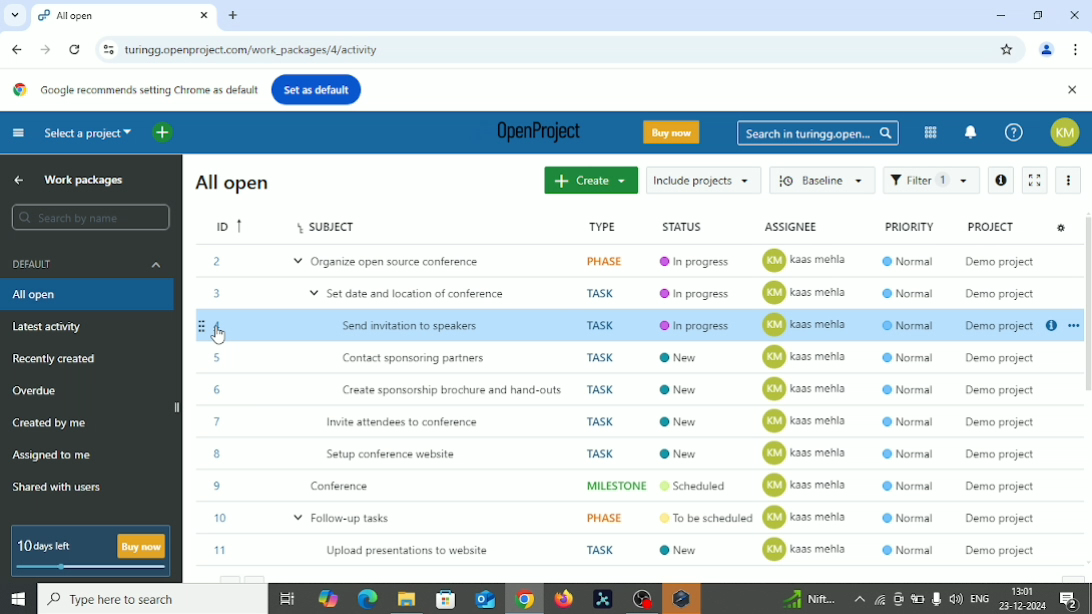 This screenshot has width=1092, height=614. I want to click on Open details view, so click(1002, 180).